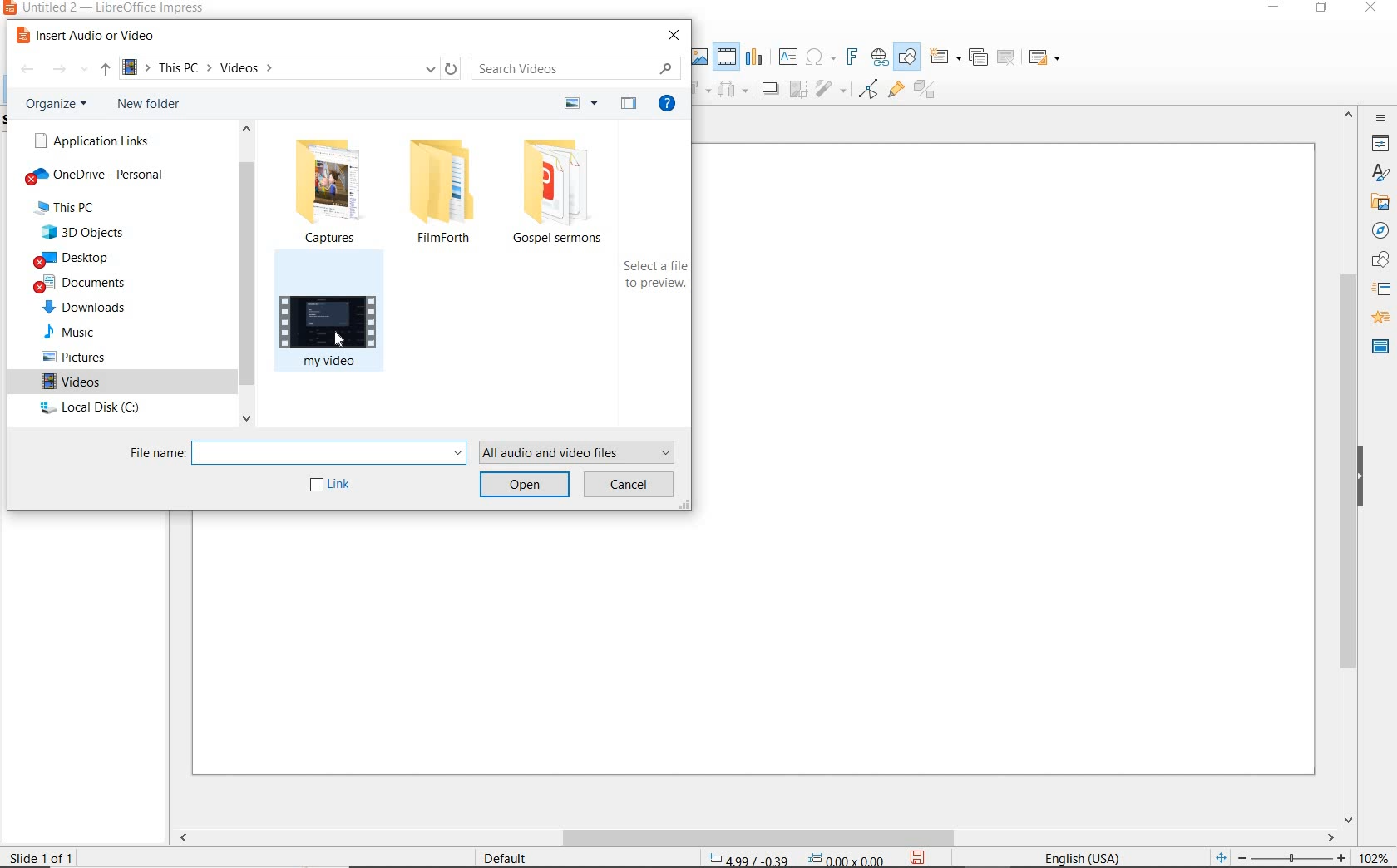 The image size is (1397, 868). What do you see at coordinates (1380, 318) in the screenshot?
I see `ANIMATION` at bounding box center [1380, 318].